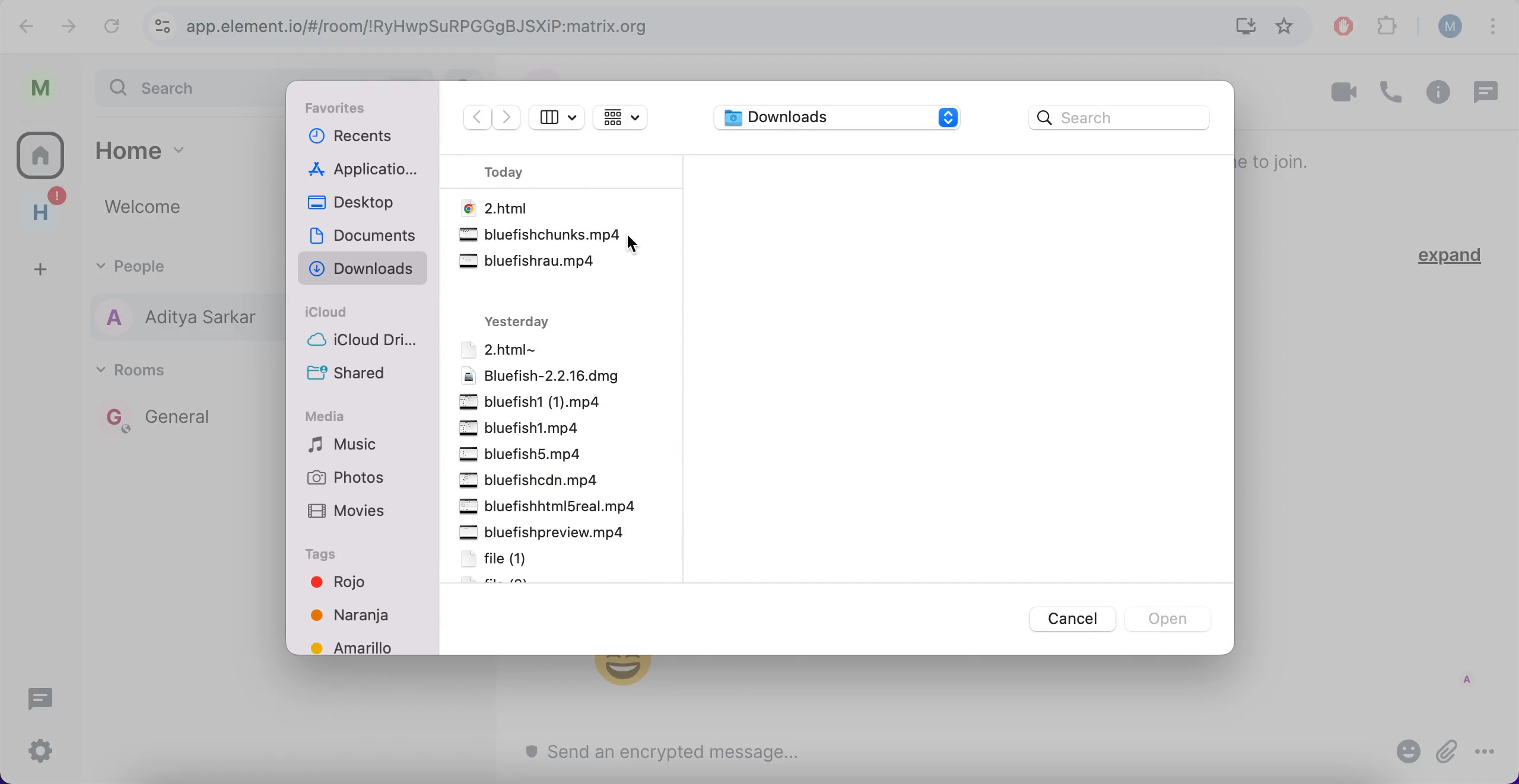  I want to click on cancel, so click(1072, 619).